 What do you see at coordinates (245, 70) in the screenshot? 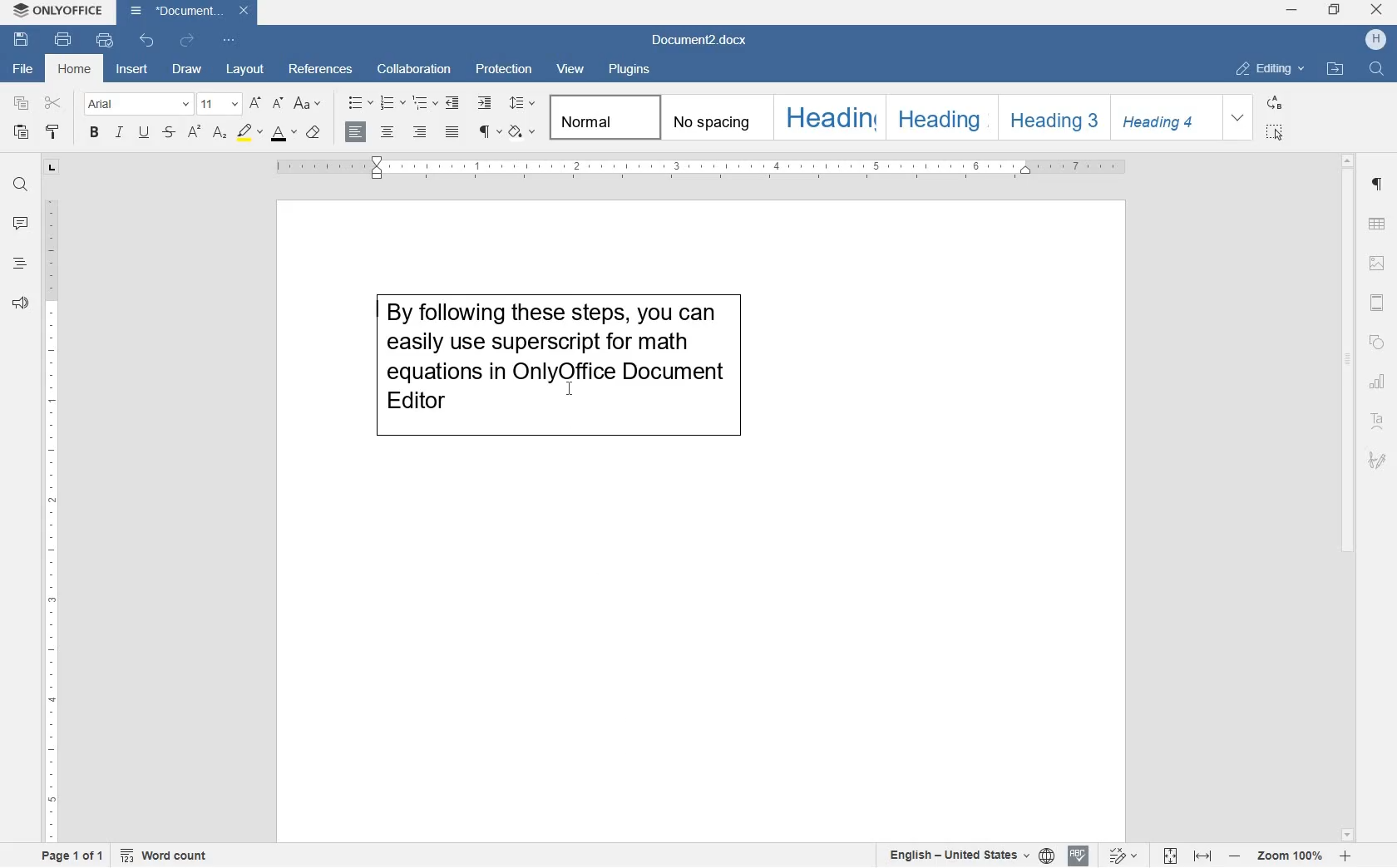
I see `layout` at bounding box center [245, 70].